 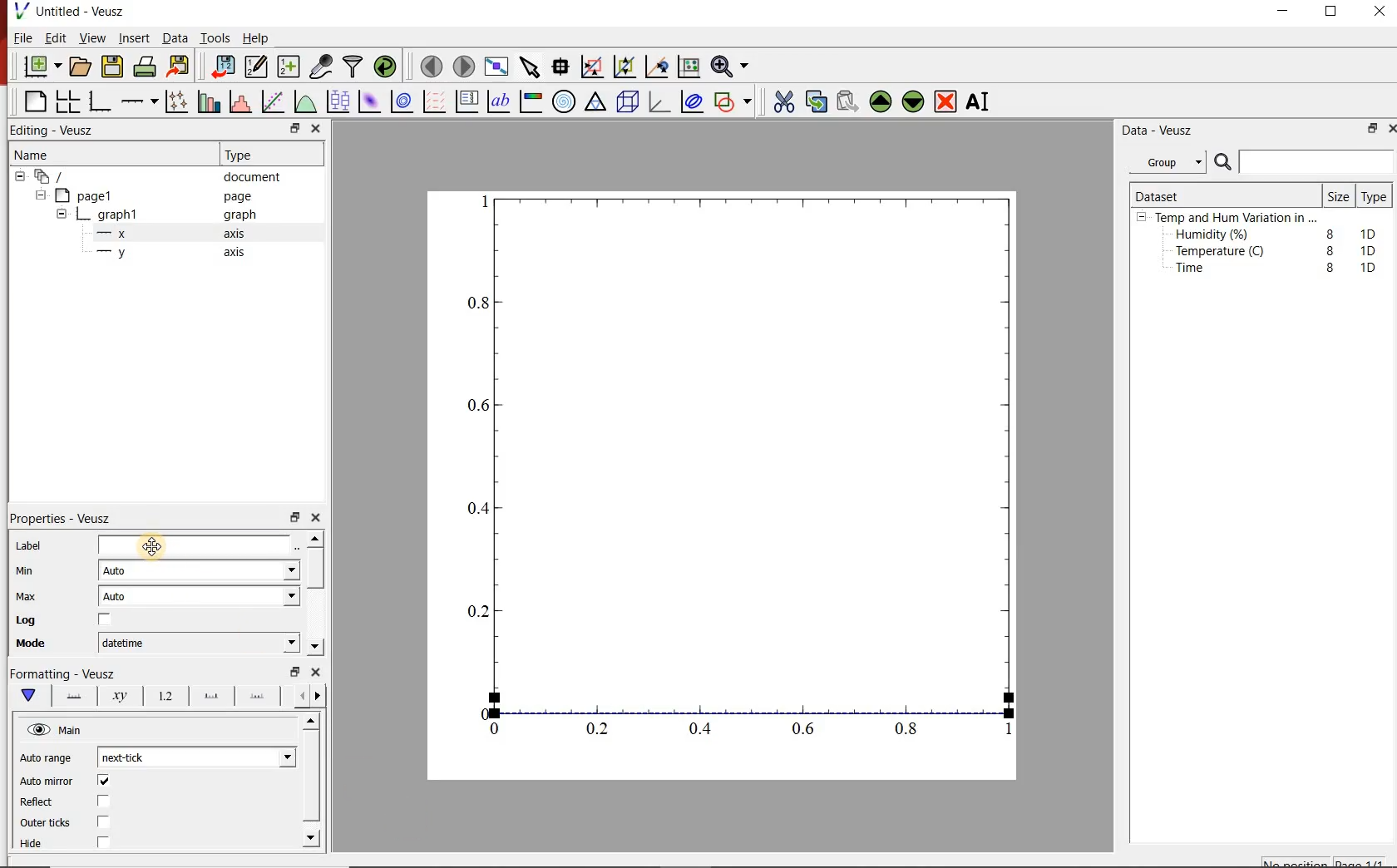 What do you see at coordinates (696, 105) in the screenshot?
I see `plot covariance ellipses` at bounding box center [696, 105].